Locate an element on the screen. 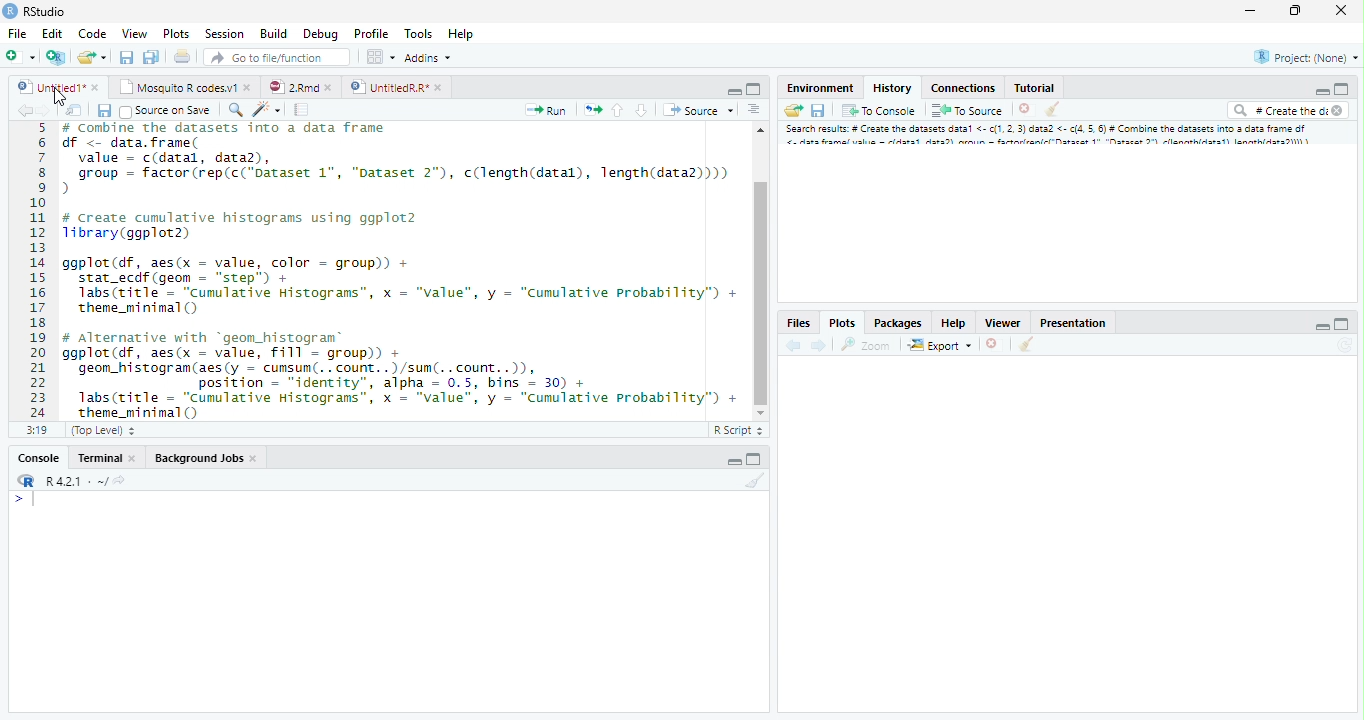  Console is located at coordinates (42, 457).